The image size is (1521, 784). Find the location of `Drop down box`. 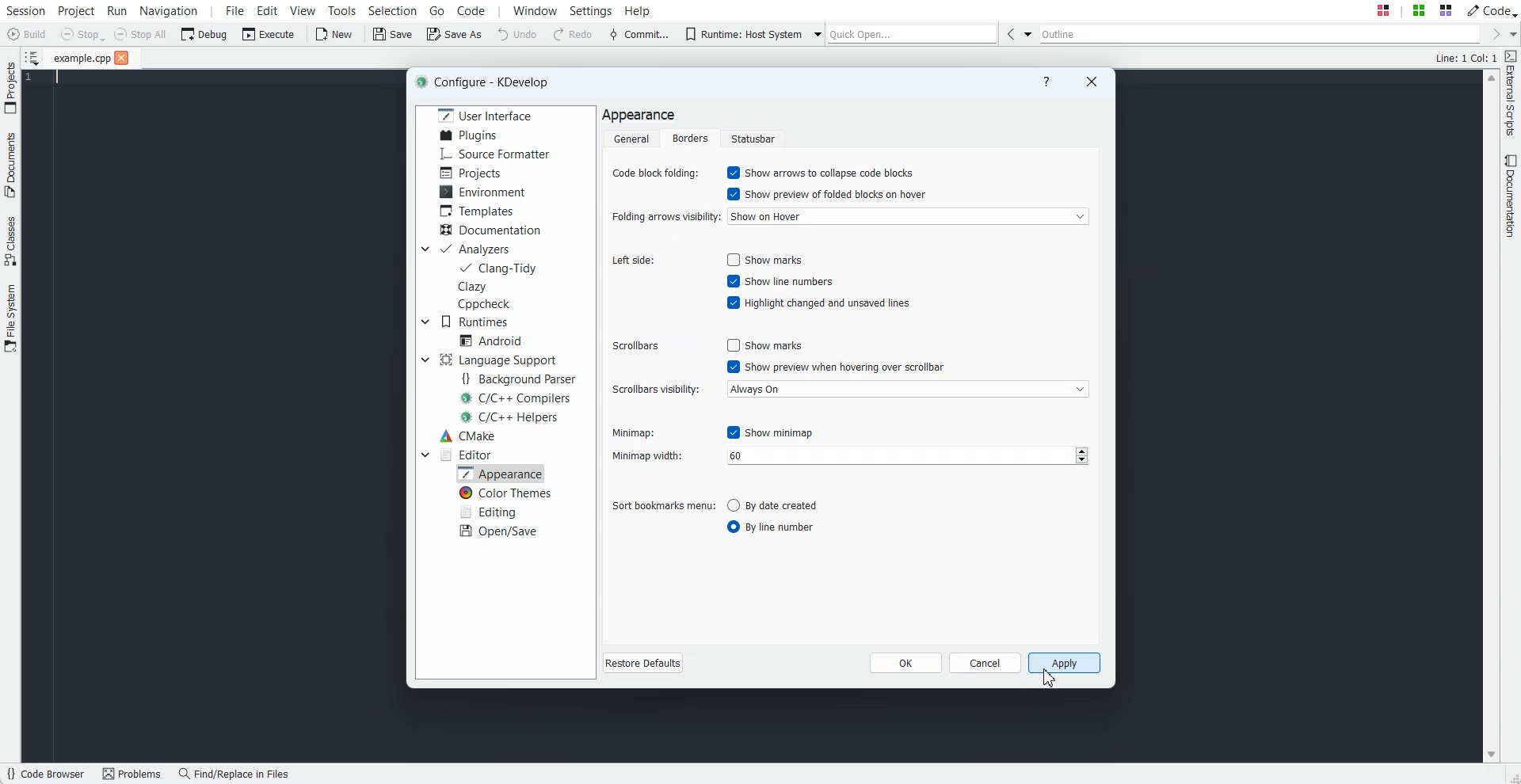

Drop down box is located at coordinates (423, 360).